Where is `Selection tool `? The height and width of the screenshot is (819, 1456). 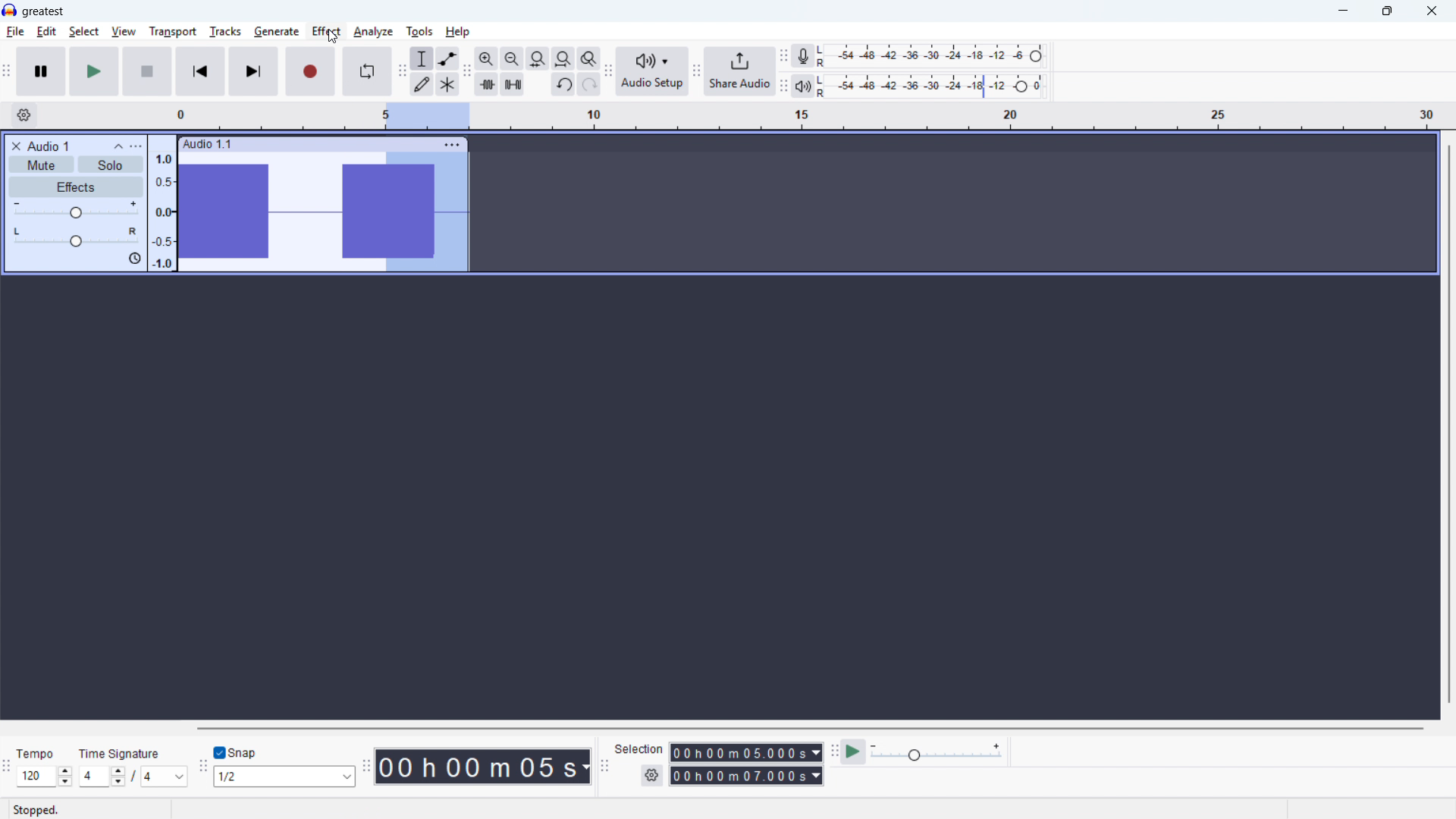 Selection tool  is located at coordinates (422, 58).